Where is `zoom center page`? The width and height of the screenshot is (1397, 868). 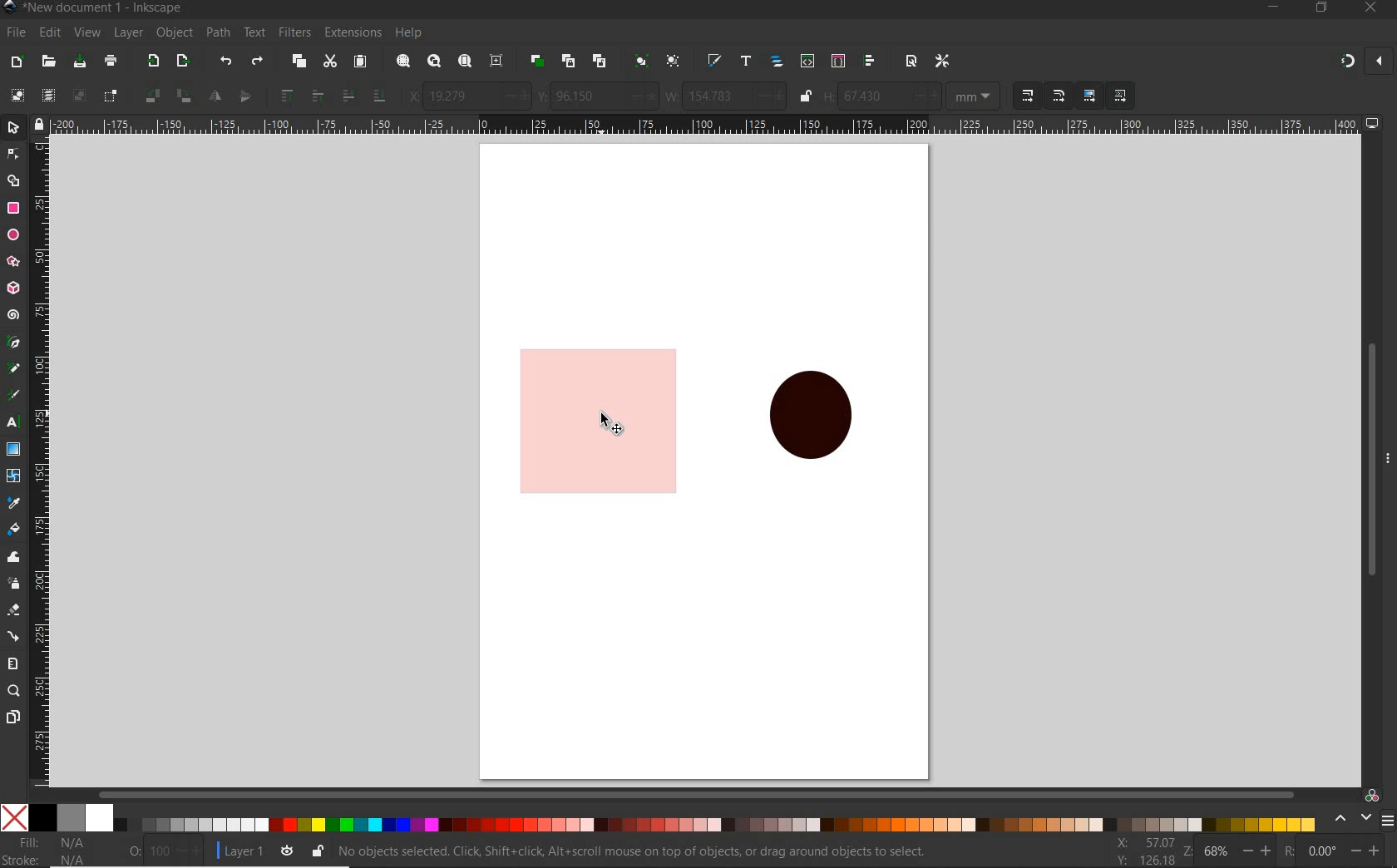
zoom center page is located at coordinates (496, 61).